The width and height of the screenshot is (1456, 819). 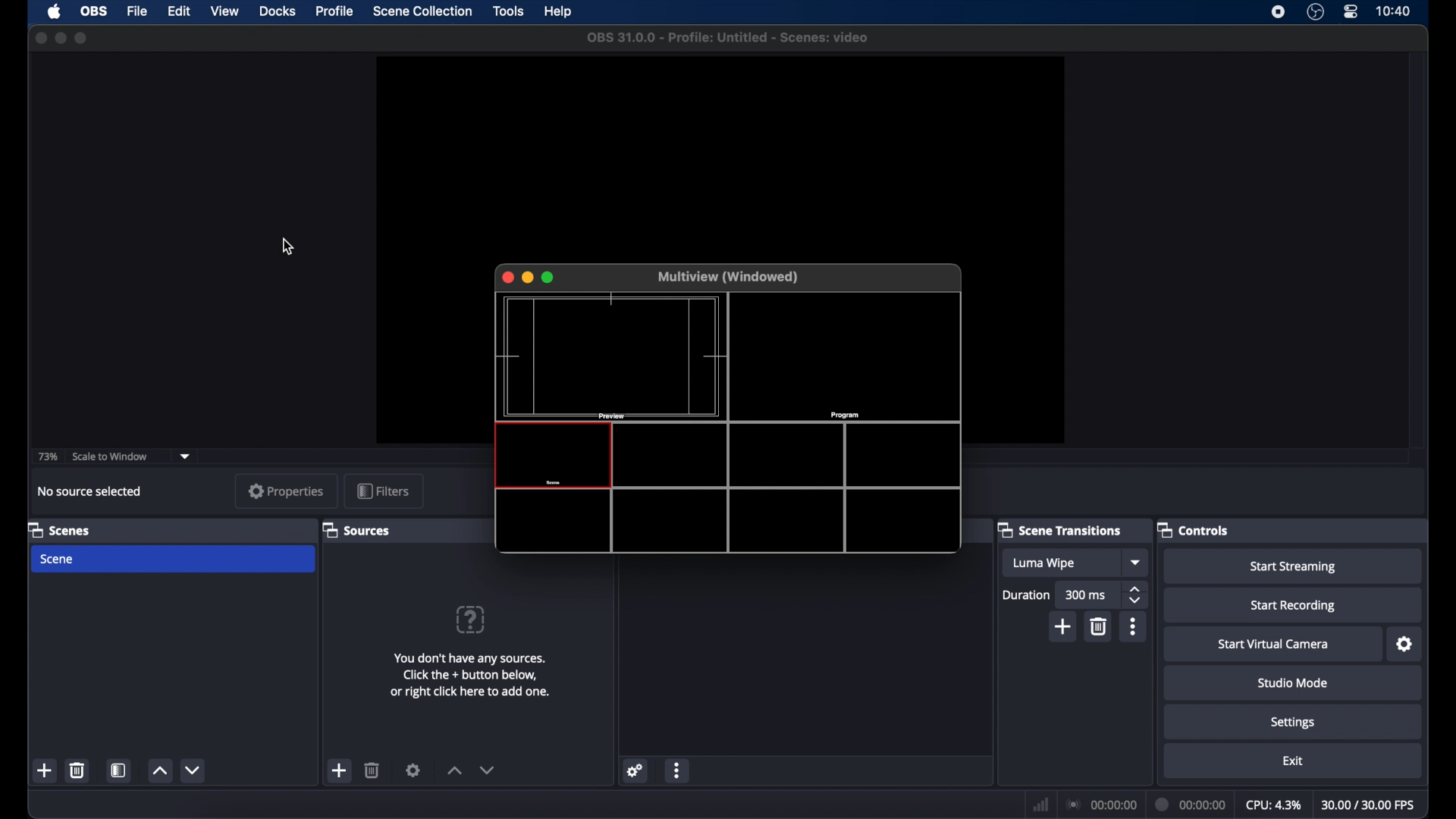 I want to click on apple icon, so click(x=55, y=11).